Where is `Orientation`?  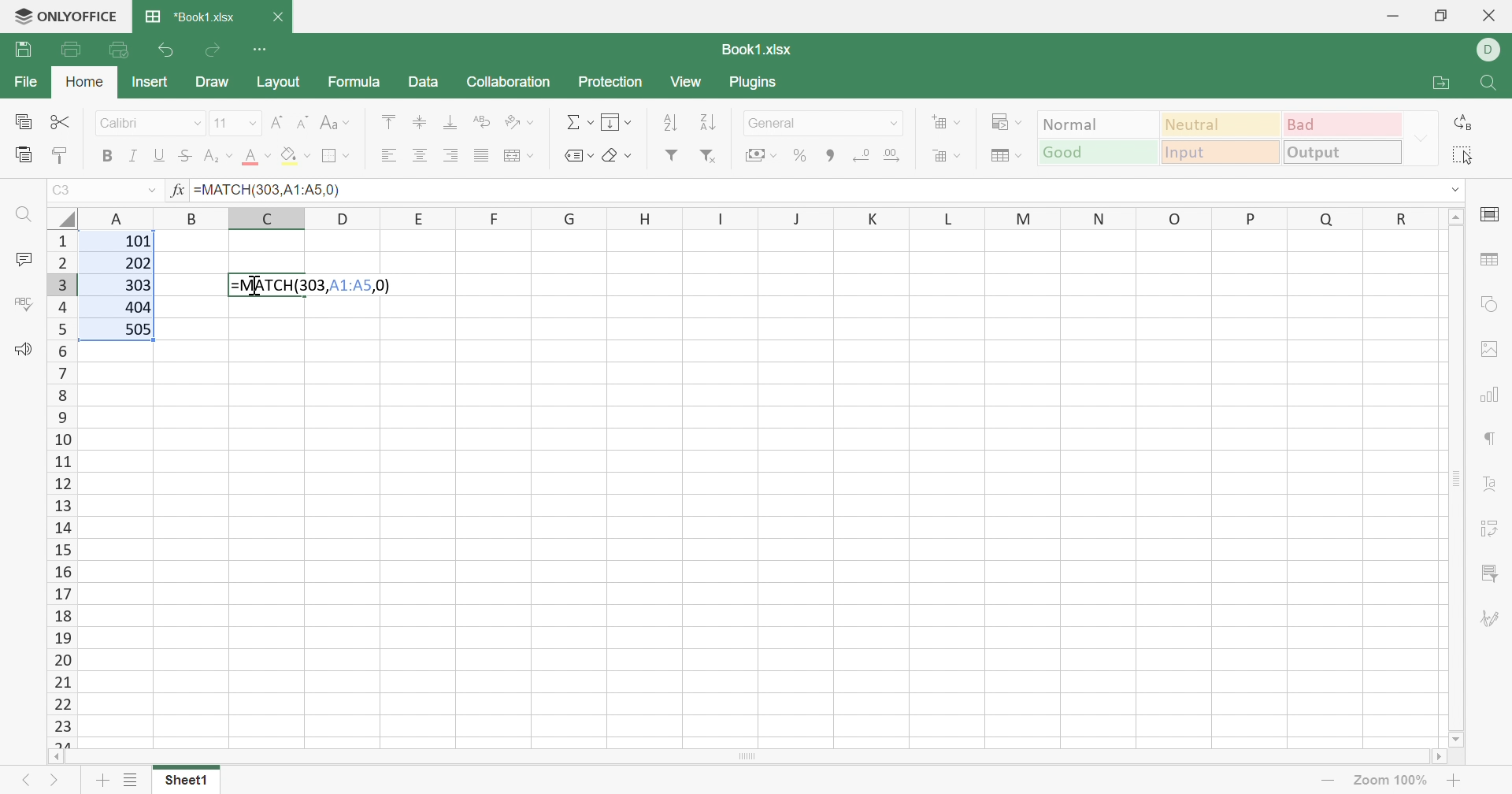 Orientation is located at coordinates (521, 121).